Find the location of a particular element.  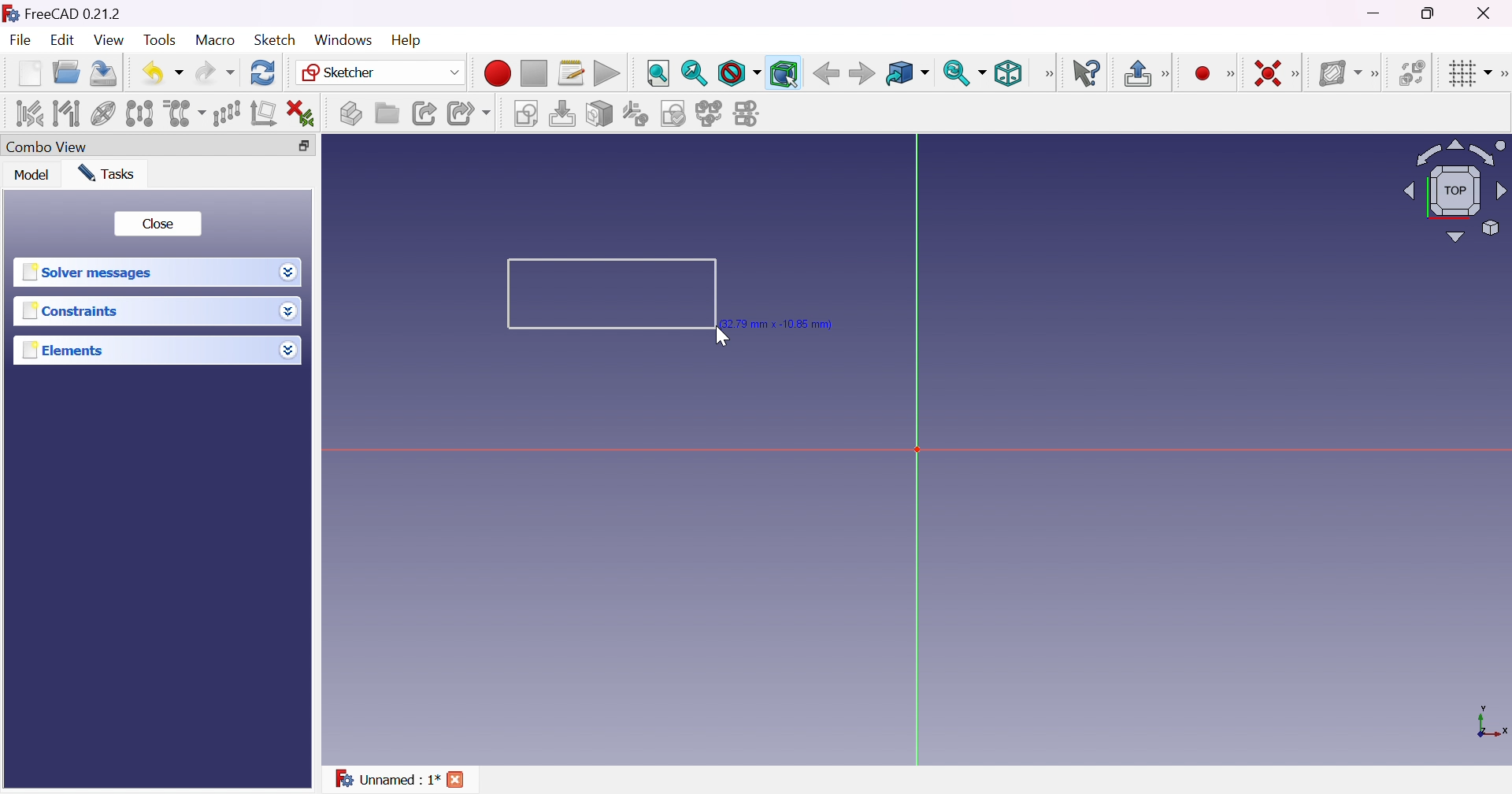

Sketch is located at coordinates (276, 40).